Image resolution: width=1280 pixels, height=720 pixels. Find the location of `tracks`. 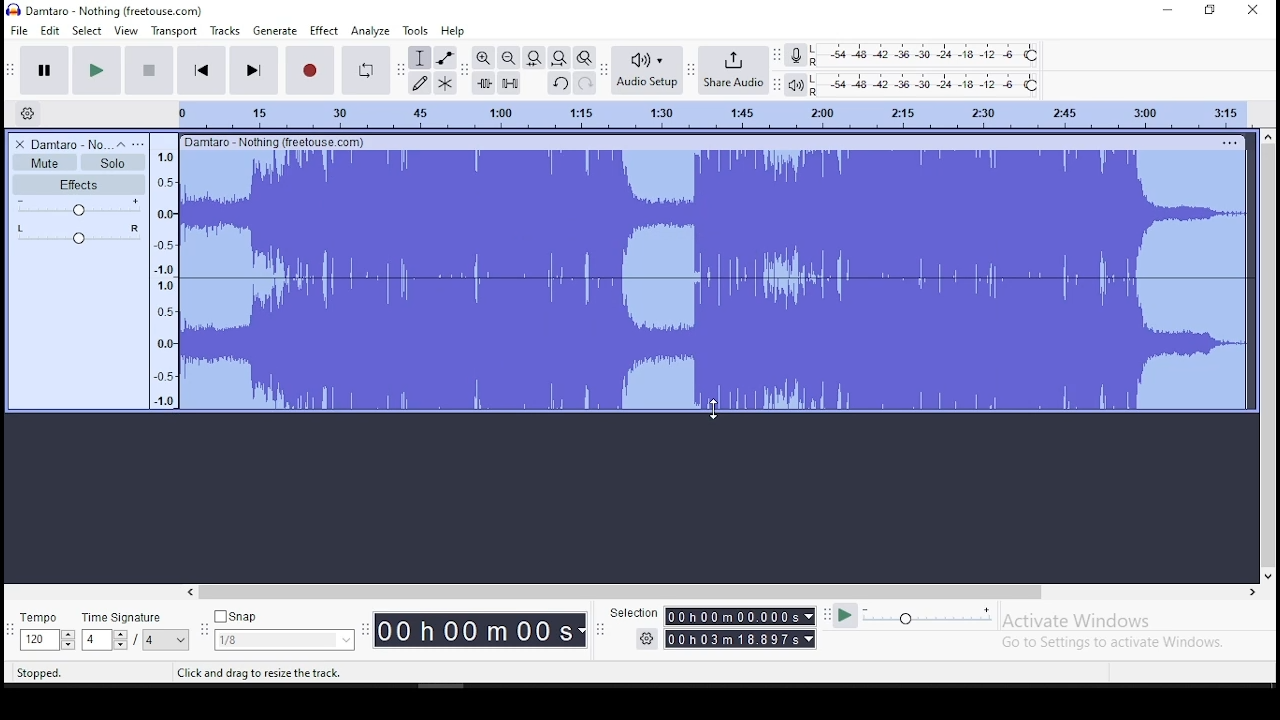

tracks is located at coordinates (224, 31).